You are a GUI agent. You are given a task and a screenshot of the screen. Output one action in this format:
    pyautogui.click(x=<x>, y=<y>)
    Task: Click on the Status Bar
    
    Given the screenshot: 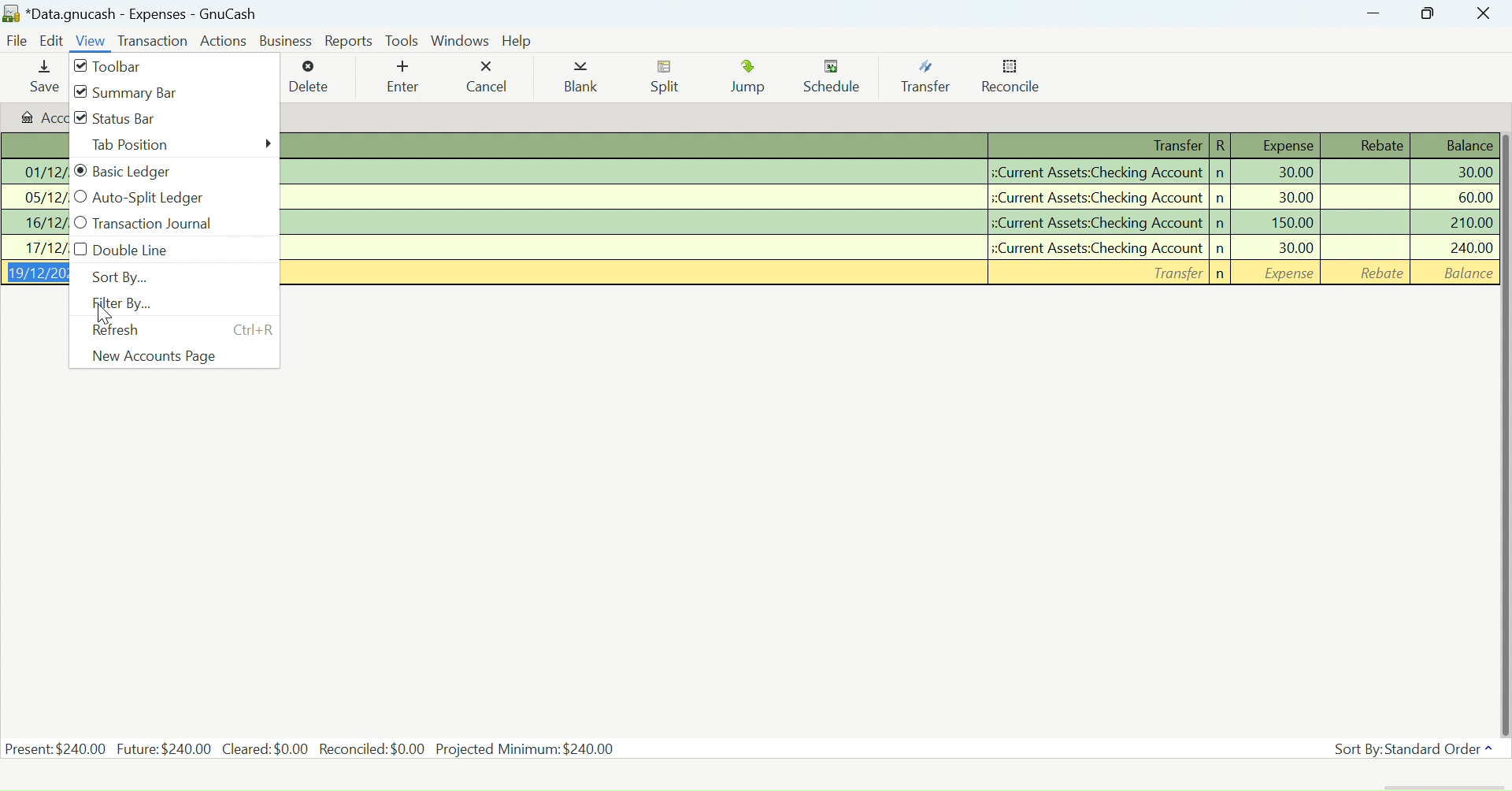 What is the action you would take?
    pyautogui.click(x=143, y=121)
    